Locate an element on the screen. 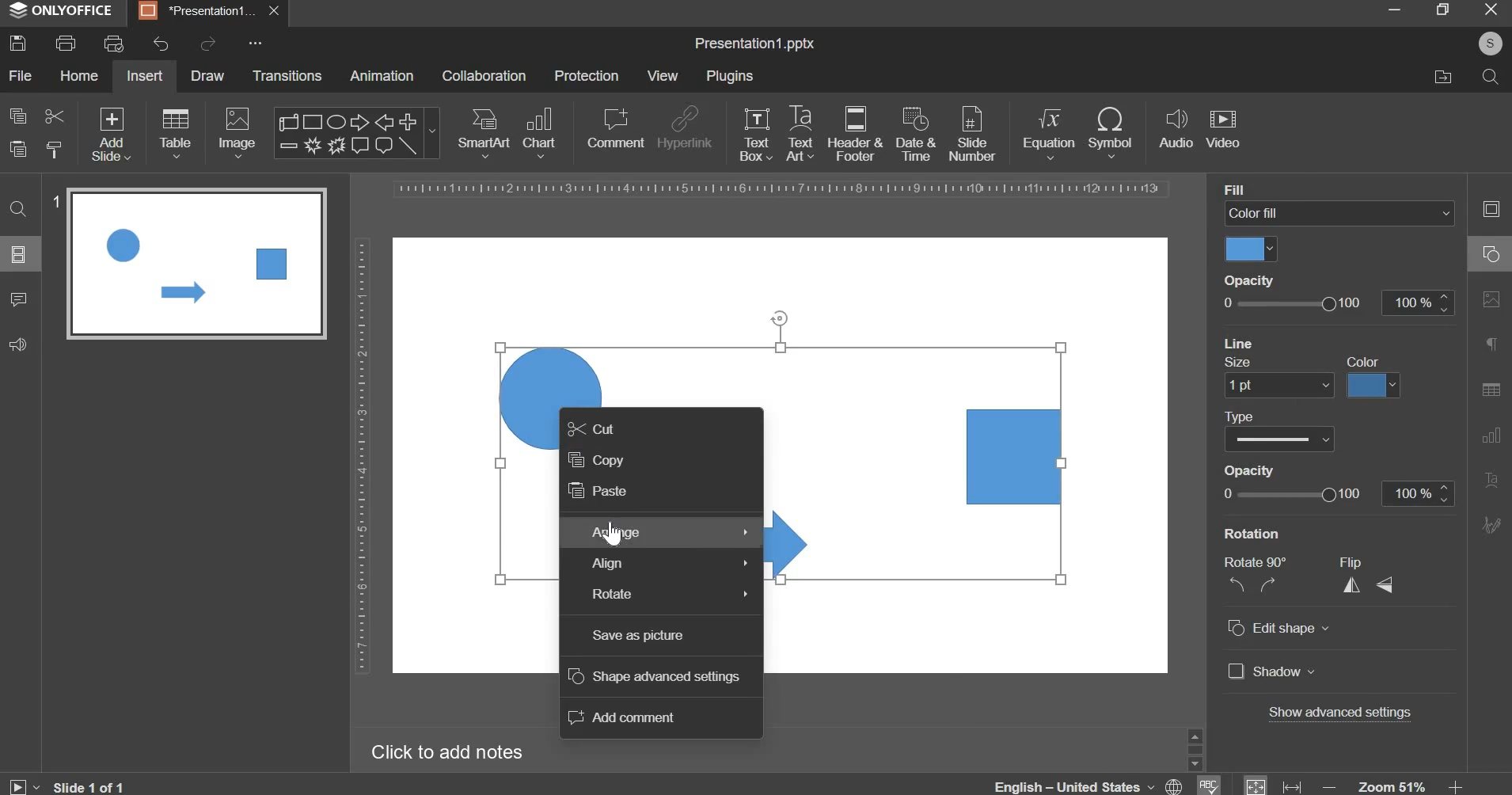 Image resolution: width=1512 pixels, height=795 pixels. copy style is located at coordinates (55, 150).